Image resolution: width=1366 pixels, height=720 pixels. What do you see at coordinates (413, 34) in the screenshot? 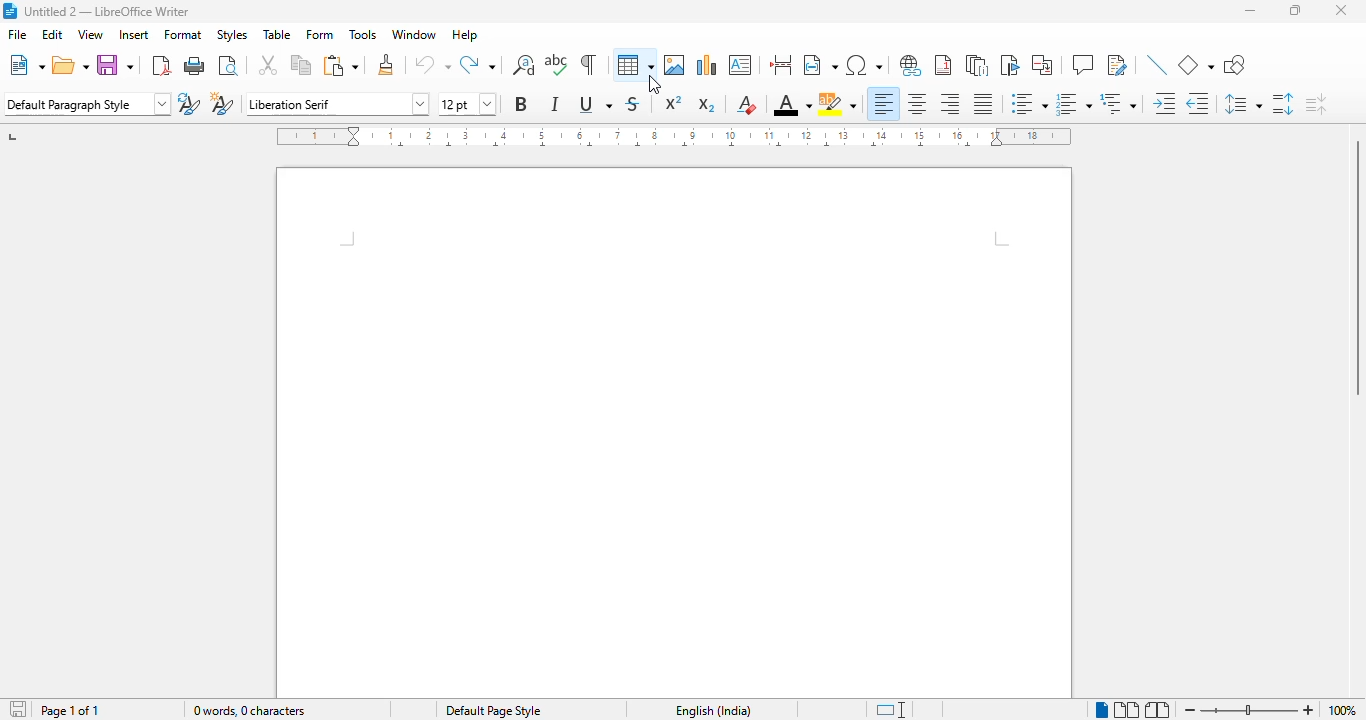
I see `window` at bounding box center [413, 34].